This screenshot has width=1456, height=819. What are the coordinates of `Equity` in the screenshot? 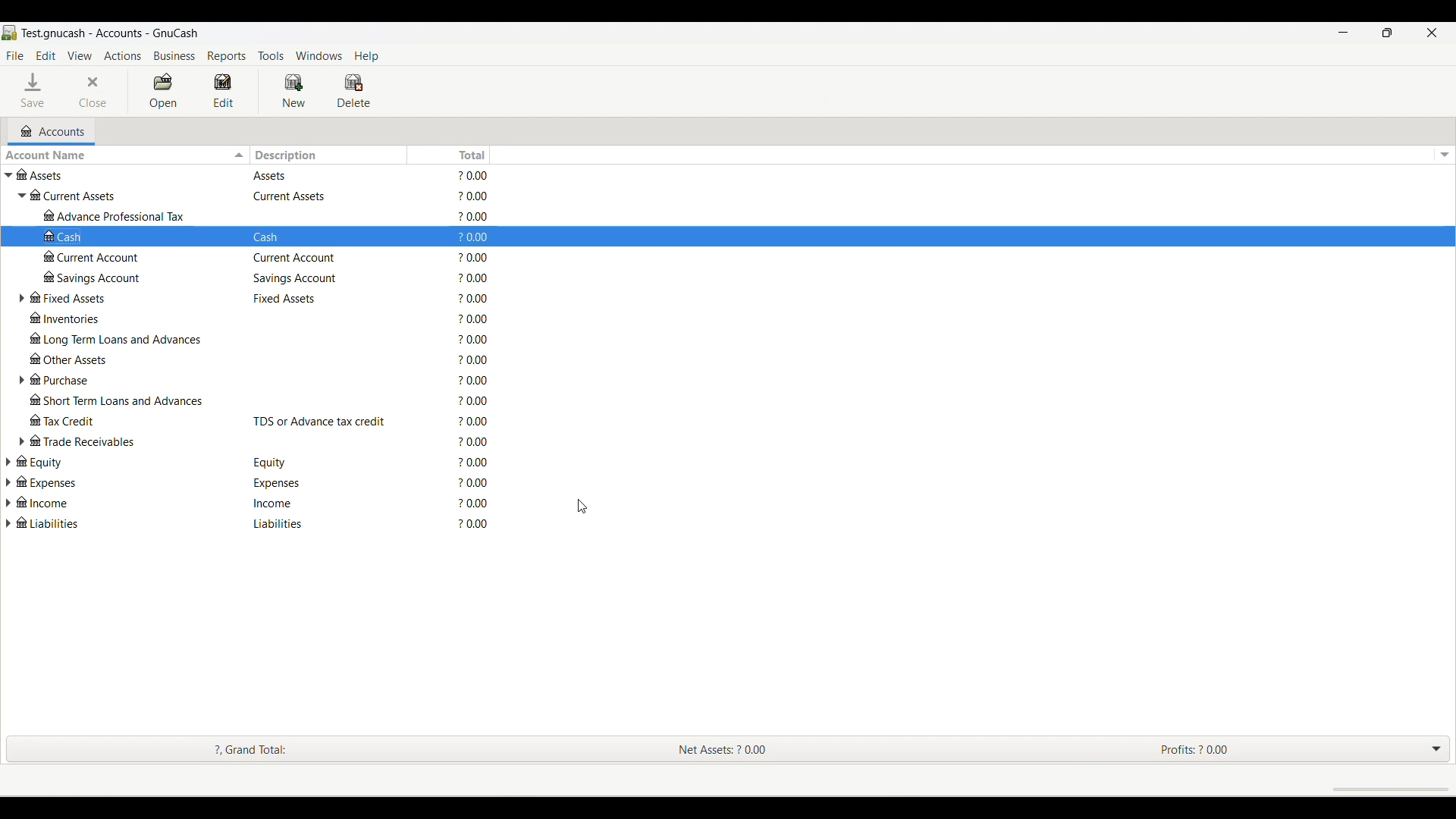 It's located at (107, 462).